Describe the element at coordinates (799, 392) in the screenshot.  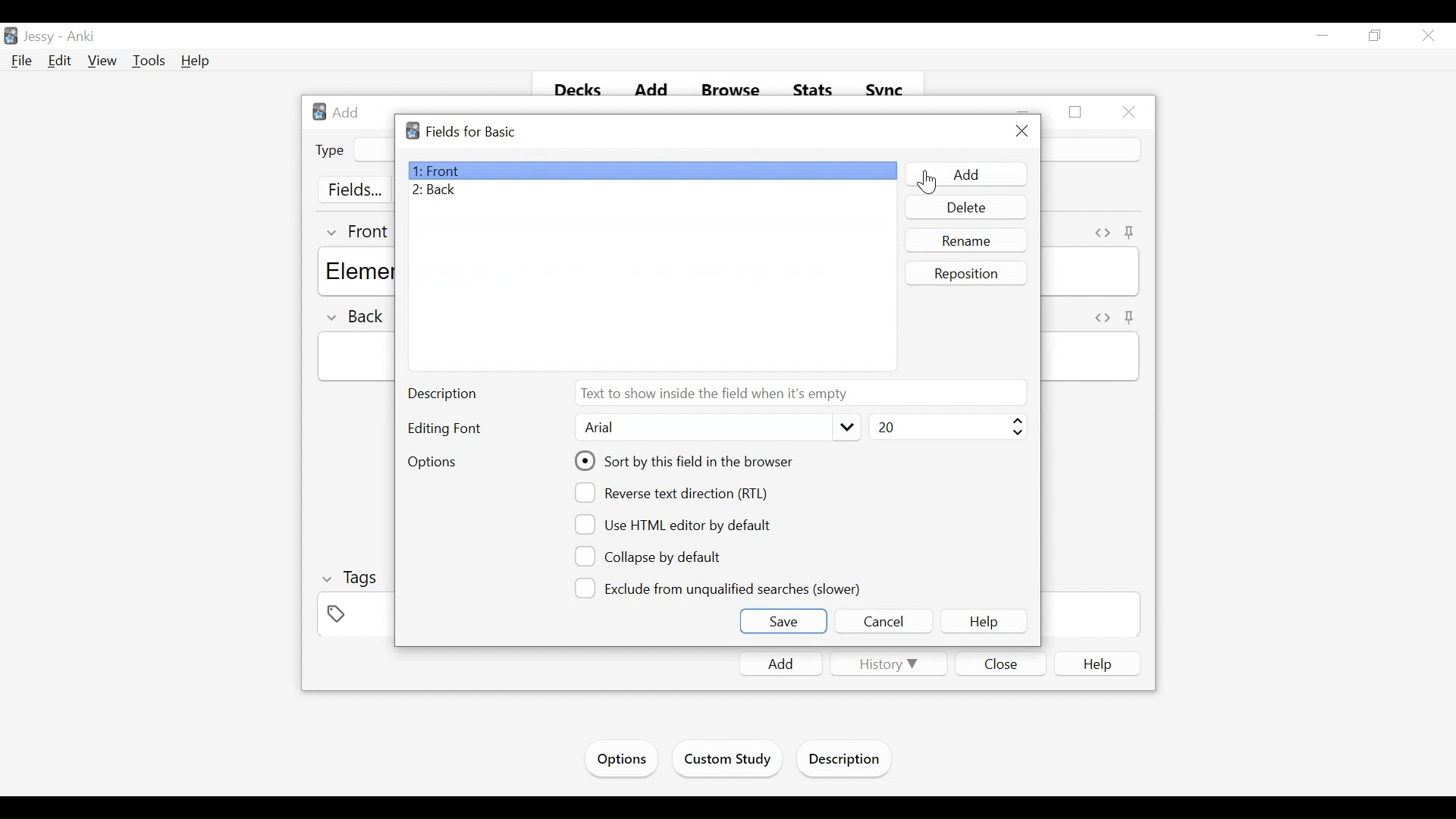
I see `Text to show inside the field when it is empty` at that location.